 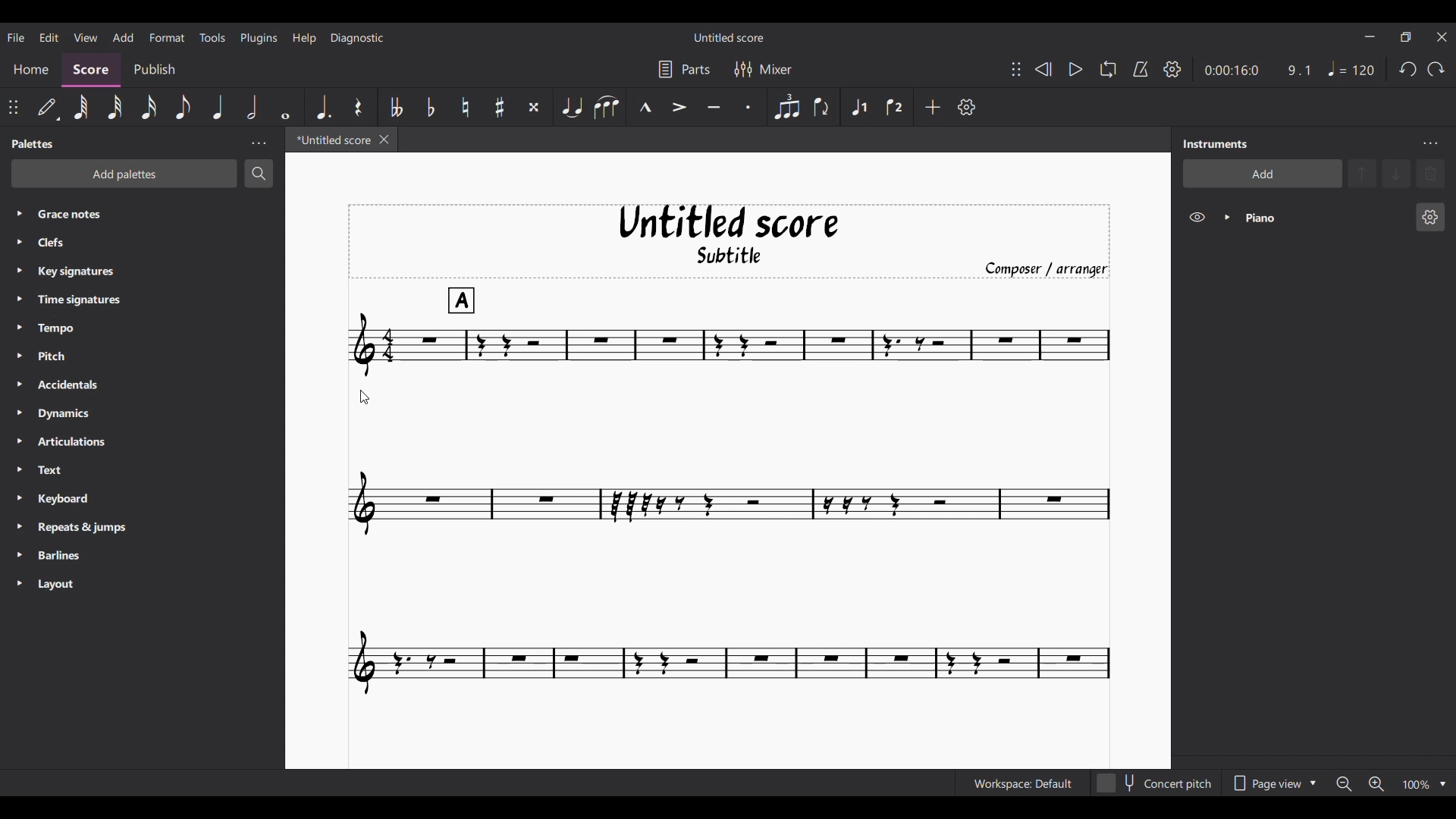 What do you see at coordinates (47, 106) in the screenshot?
I see `Default` at bounding box center [47, 106].